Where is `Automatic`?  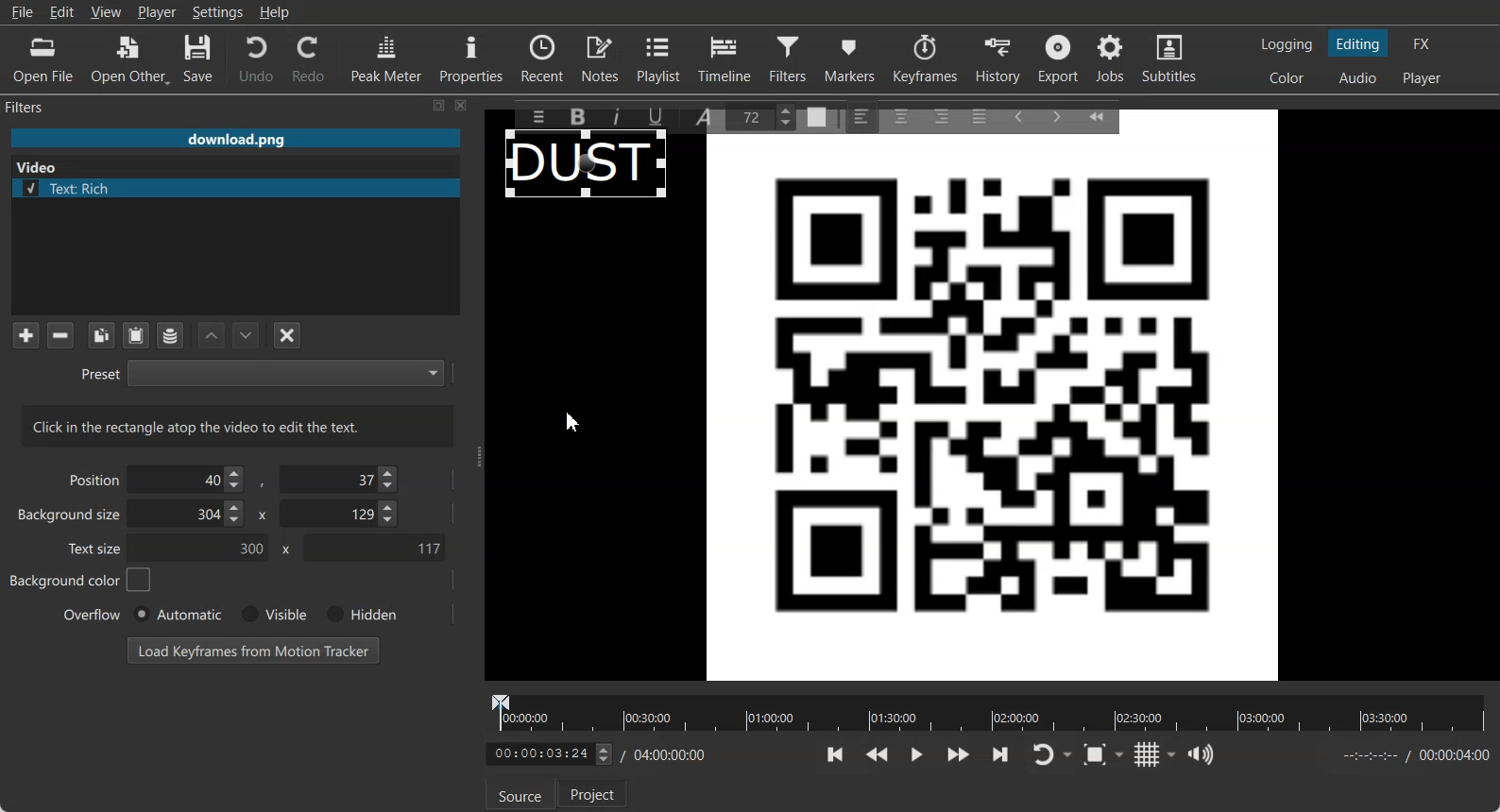
Automatic is located at coordinates (177, 614).